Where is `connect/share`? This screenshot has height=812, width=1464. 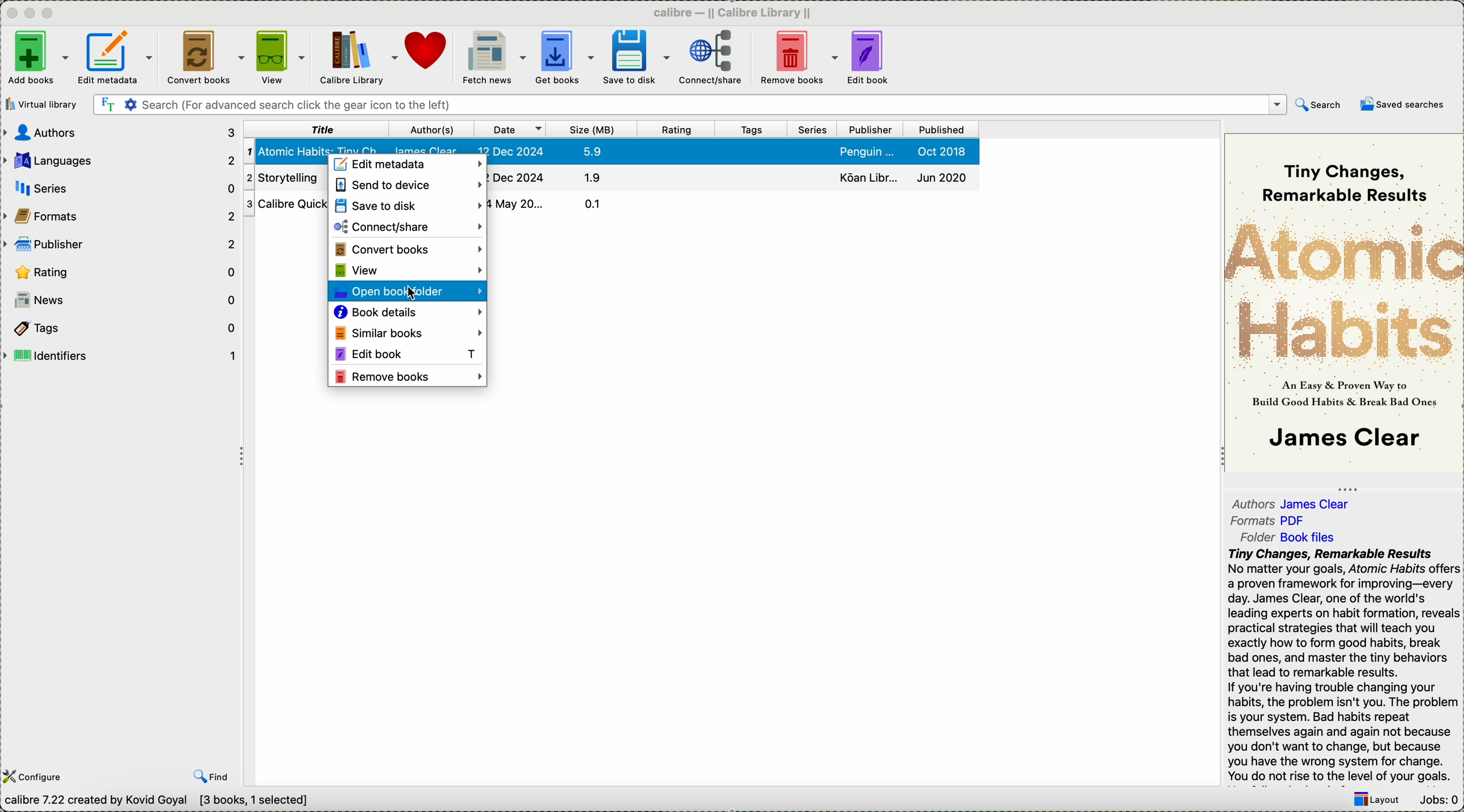
connect/share is located at coordinates (711, 60).